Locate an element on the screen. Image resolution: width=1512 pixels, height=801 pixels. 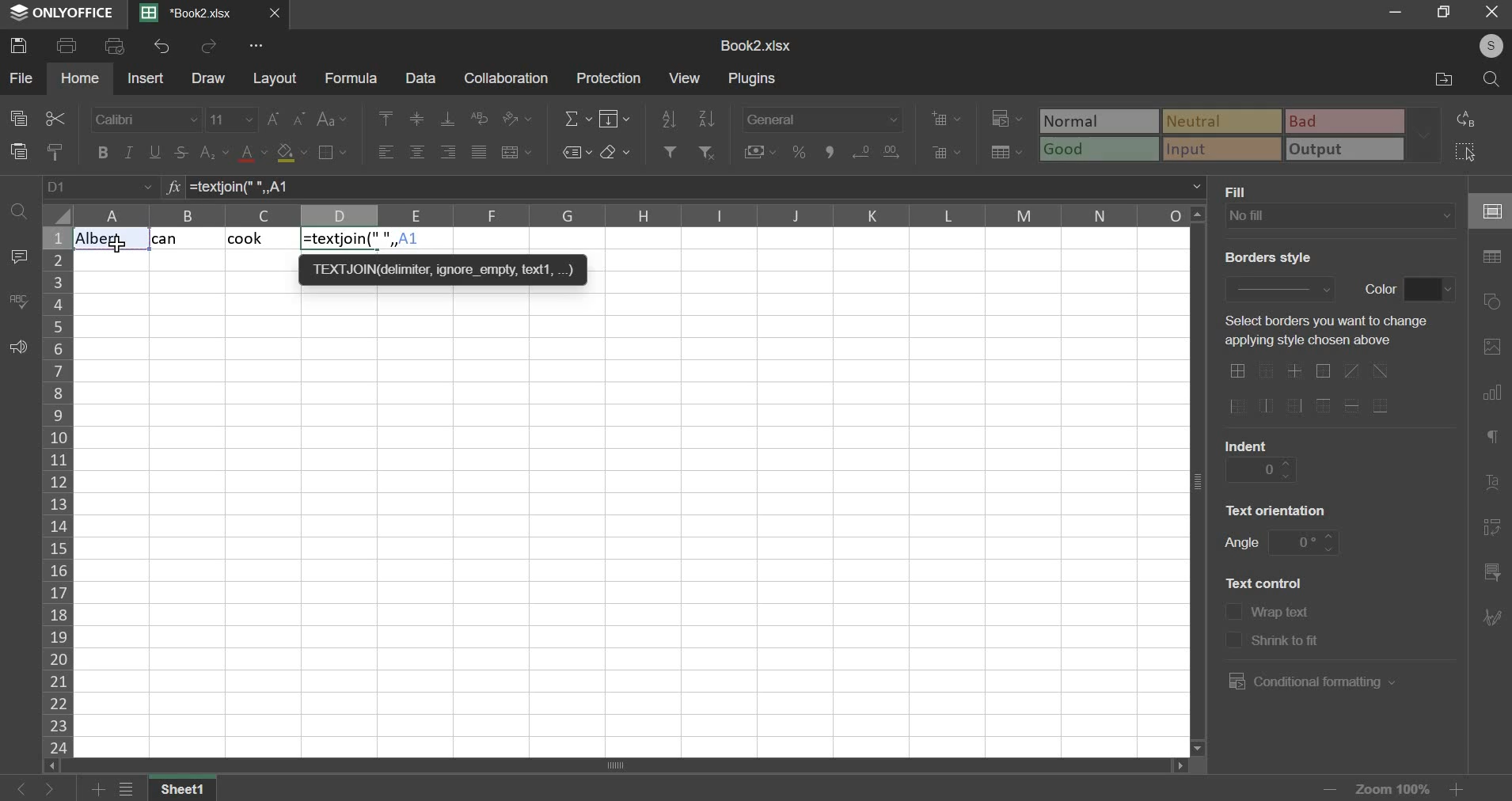
percentage is located at coordinates (798, 152).